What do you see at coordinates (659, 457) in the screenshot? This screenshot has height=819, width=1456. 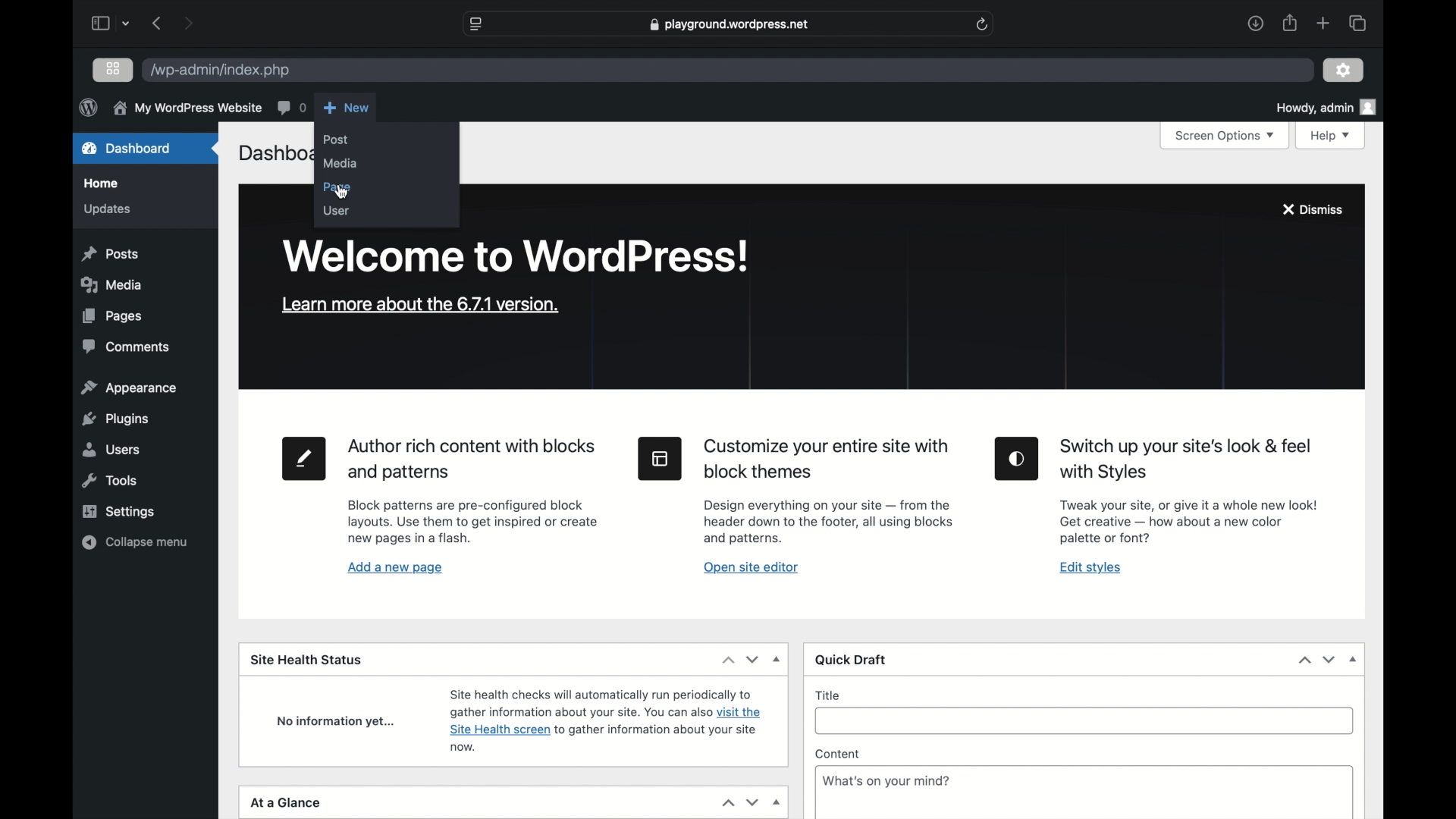 I see `site editor` at bounding box center [659, 457].